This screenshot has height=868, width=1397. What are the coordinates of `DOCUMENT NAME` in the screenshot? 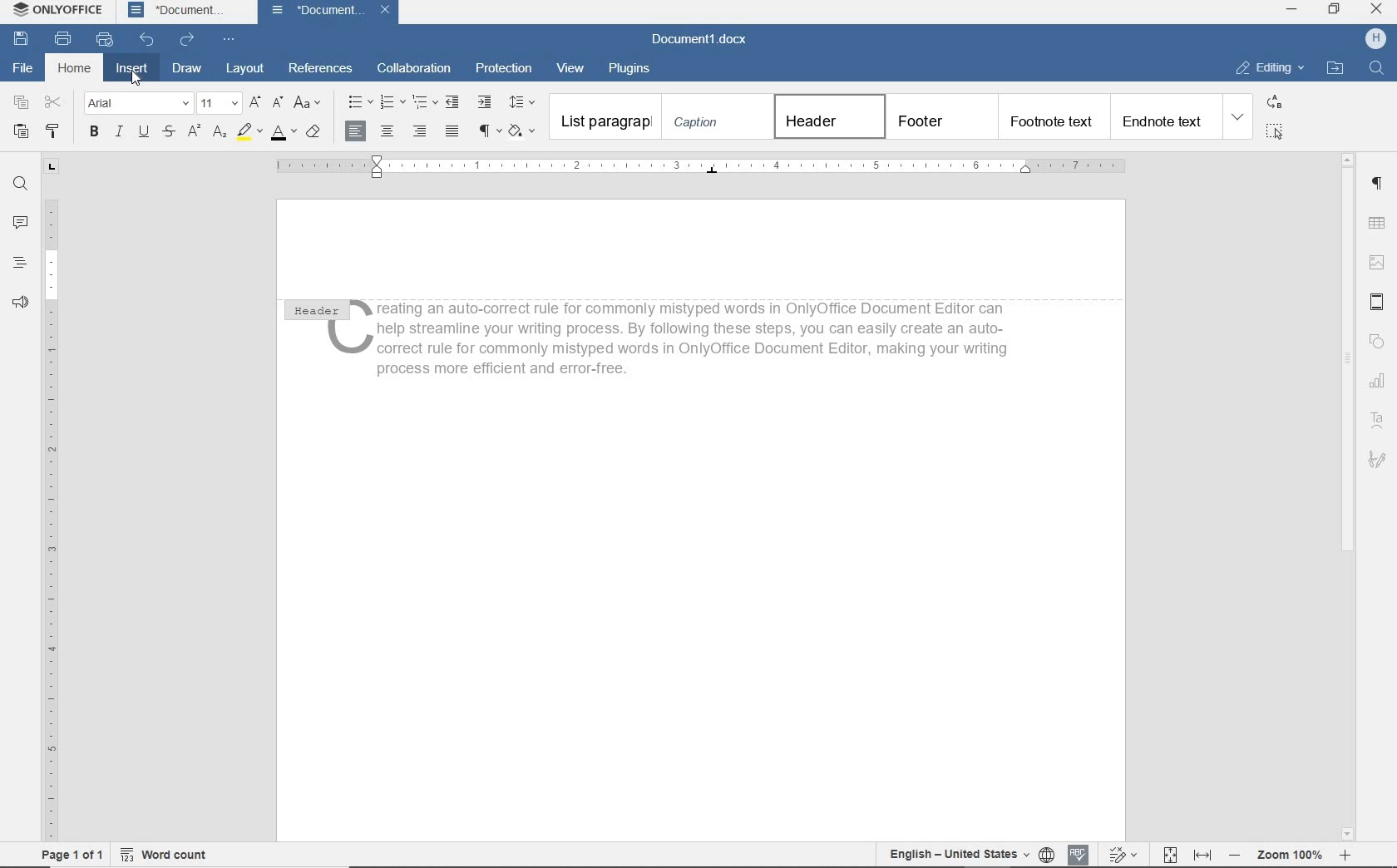 It's located at (329, 12).